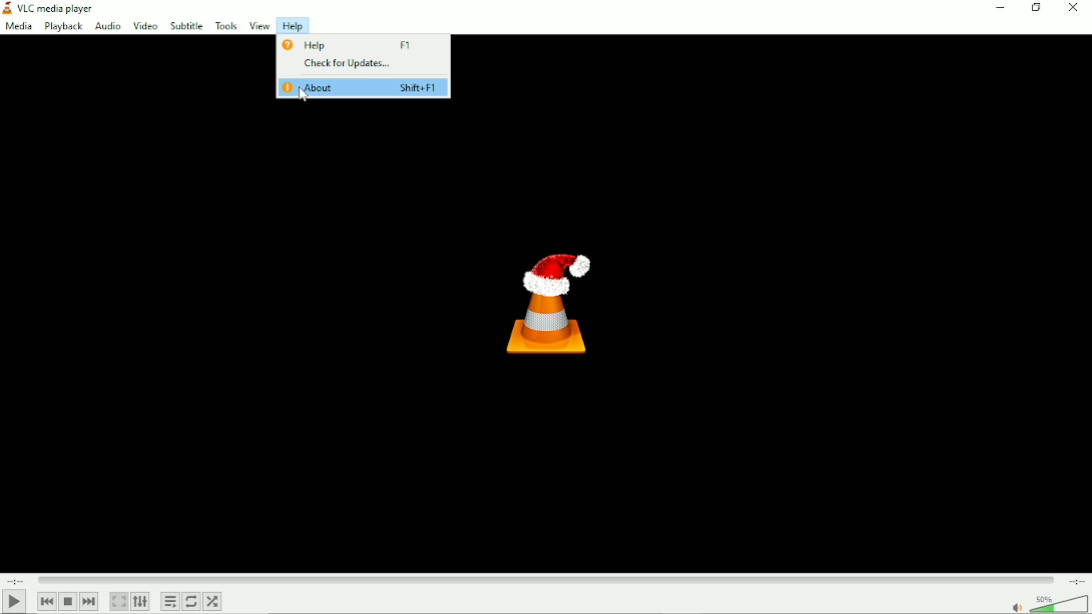 This screenshot has height=614, width=1092. What do you see at coordinates (363, 87) in the screenshot?
I see `About` at bounding box center [363, 87].